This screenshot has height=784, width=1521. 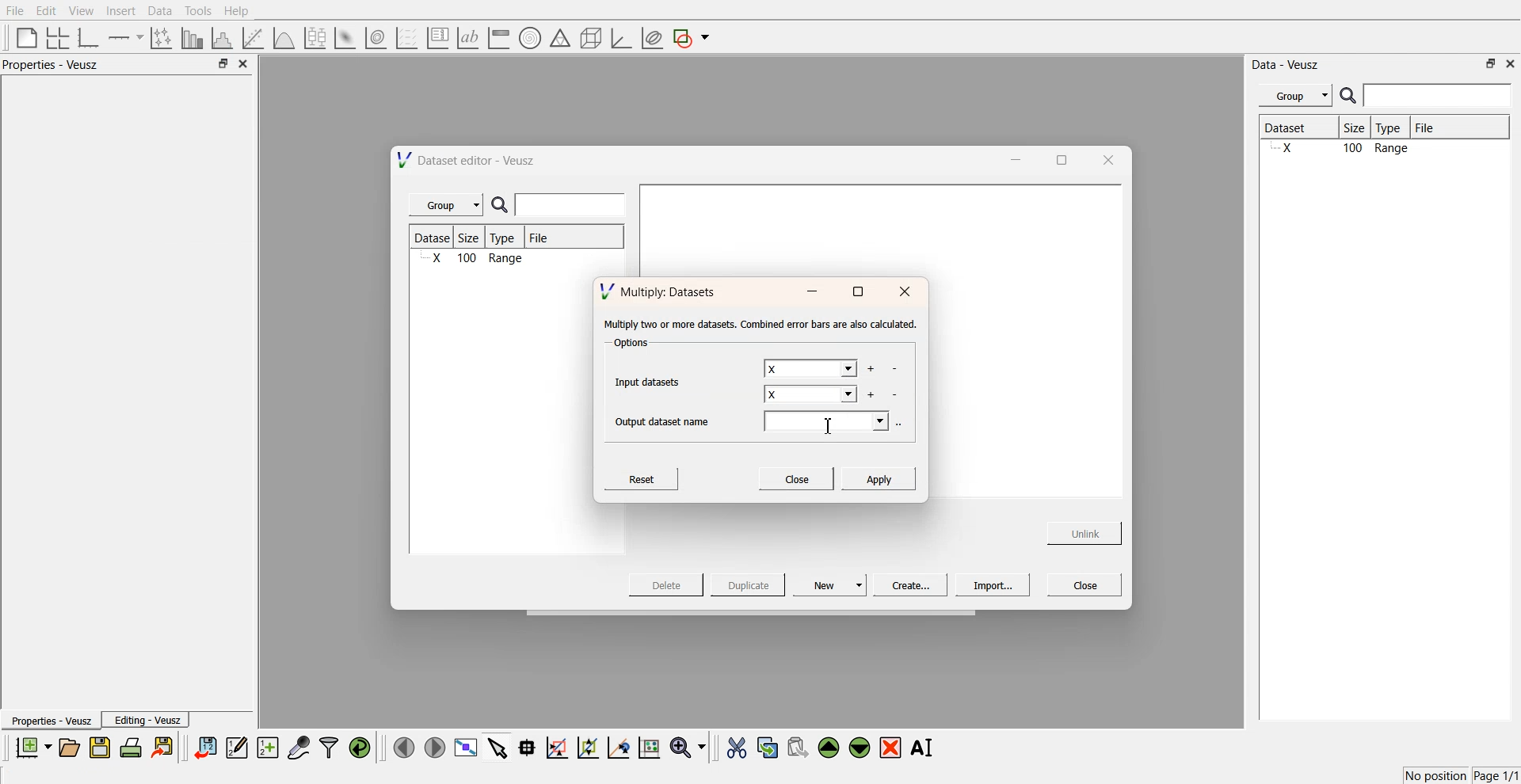 What do you see at coordinates (90, 37) in the screenshot?
I see `base graphs` at bounding box center [90, 37].